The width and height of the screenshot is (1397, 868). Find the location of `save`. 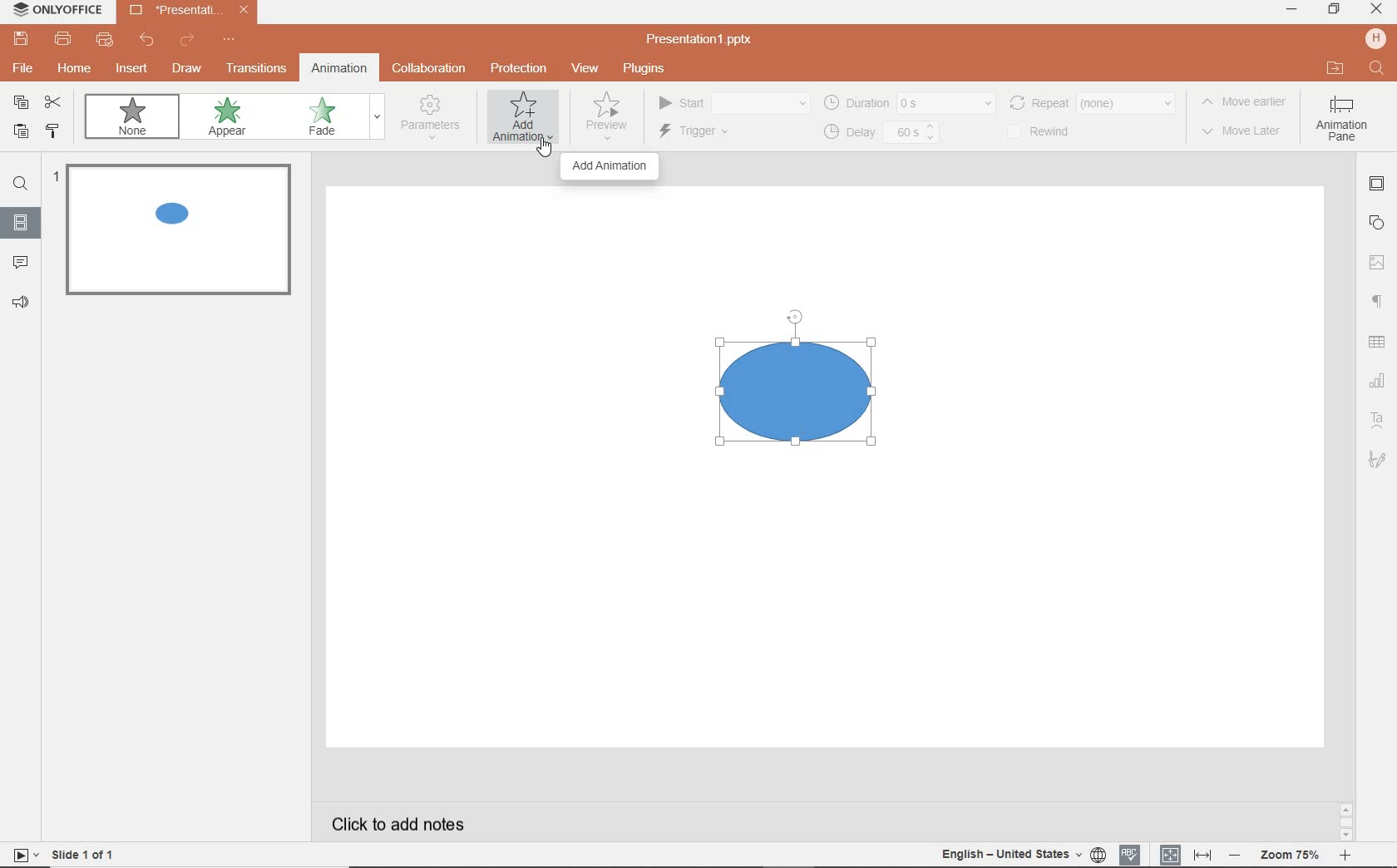

save is located at coordinates (20, 39).